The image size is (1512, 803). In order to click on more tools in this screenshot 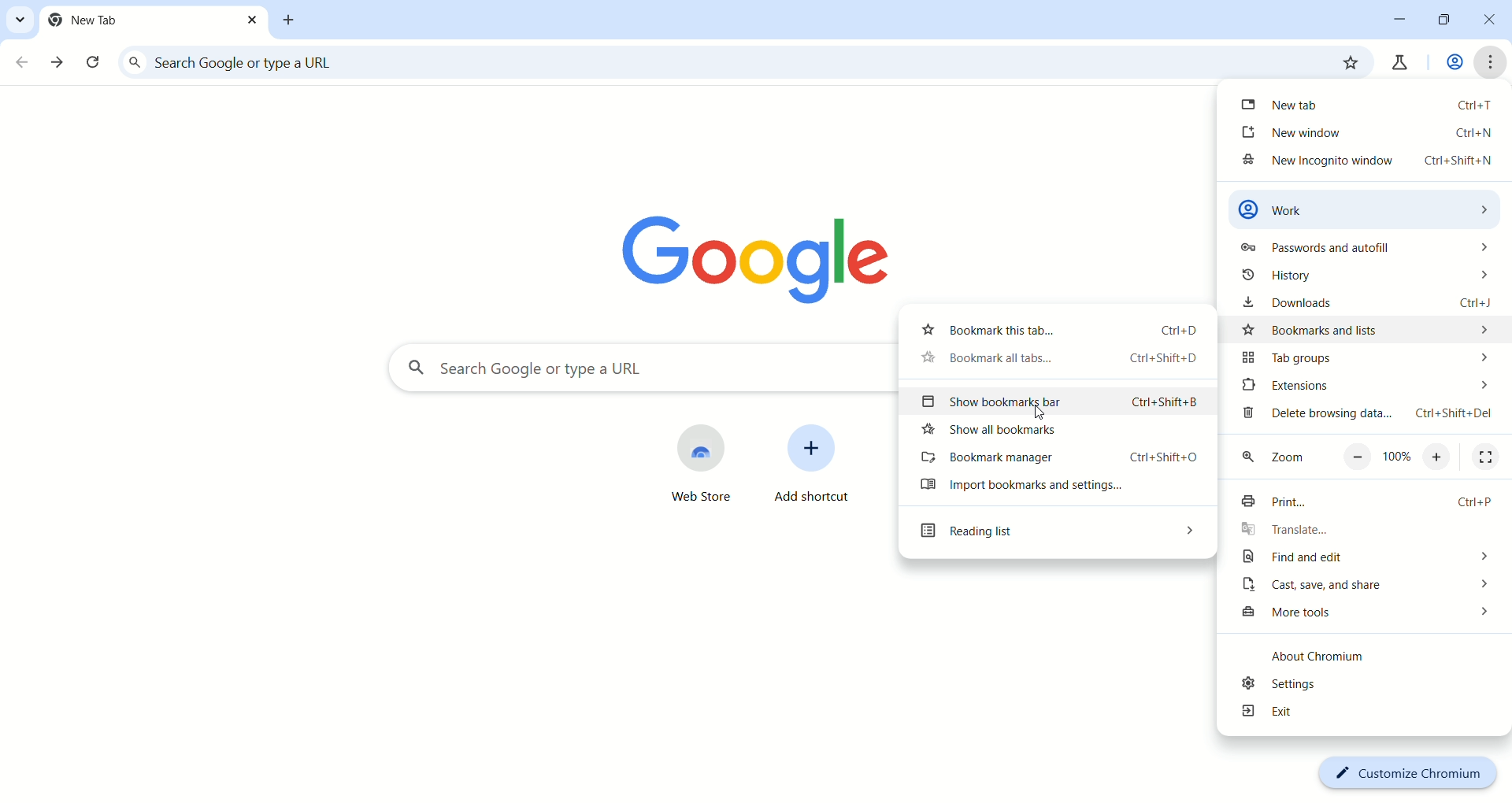, I will do `click(1365, 615)`.